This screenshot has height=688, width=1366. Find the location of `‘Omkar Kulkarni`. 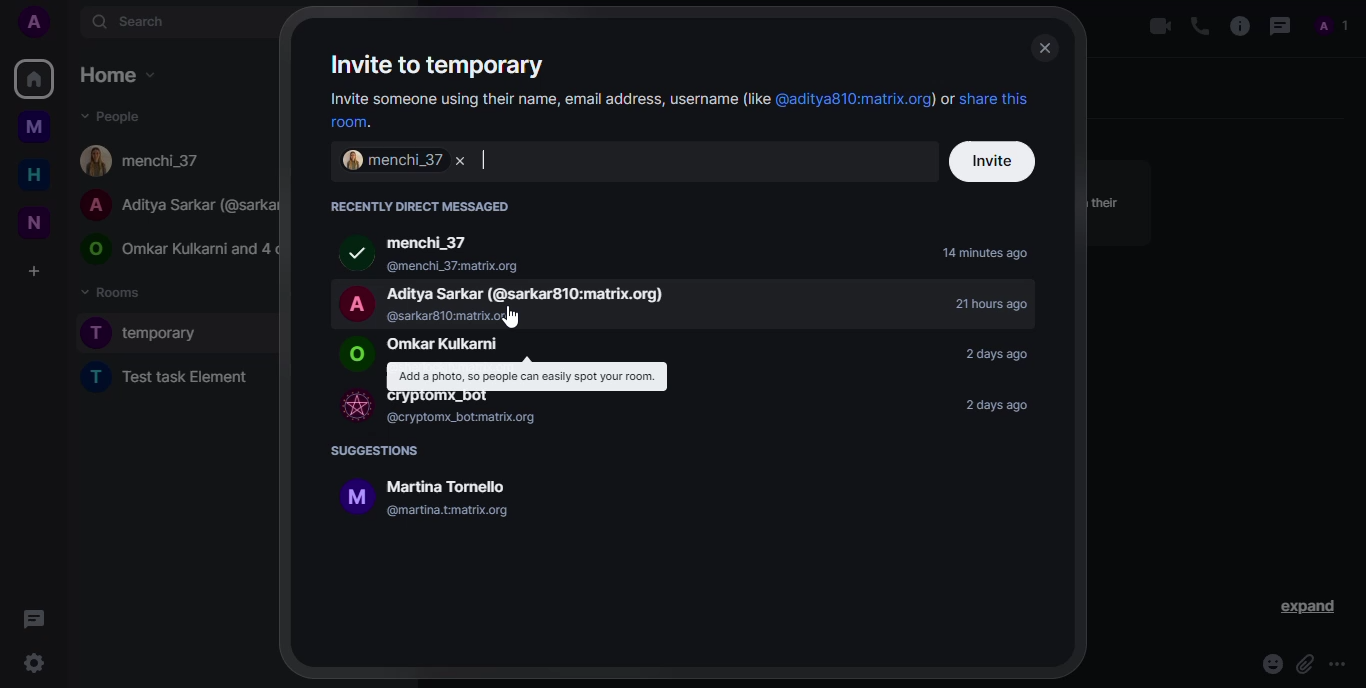

‘Omkar Kulkarni is located at coordinates (444, 345).